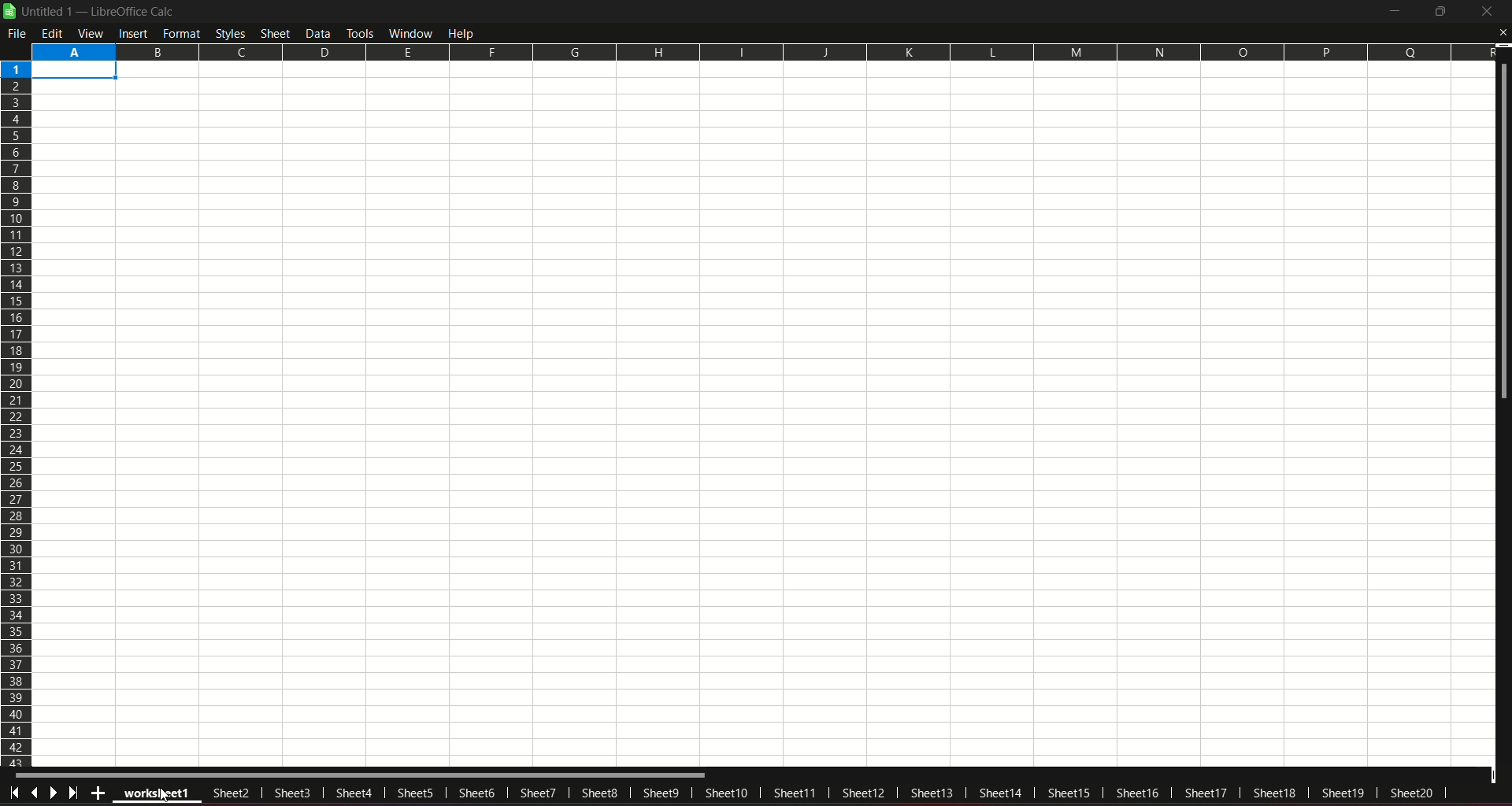 This screenshot has height=806, width=1512. I want to click on sheet14, so click(1000, 795).